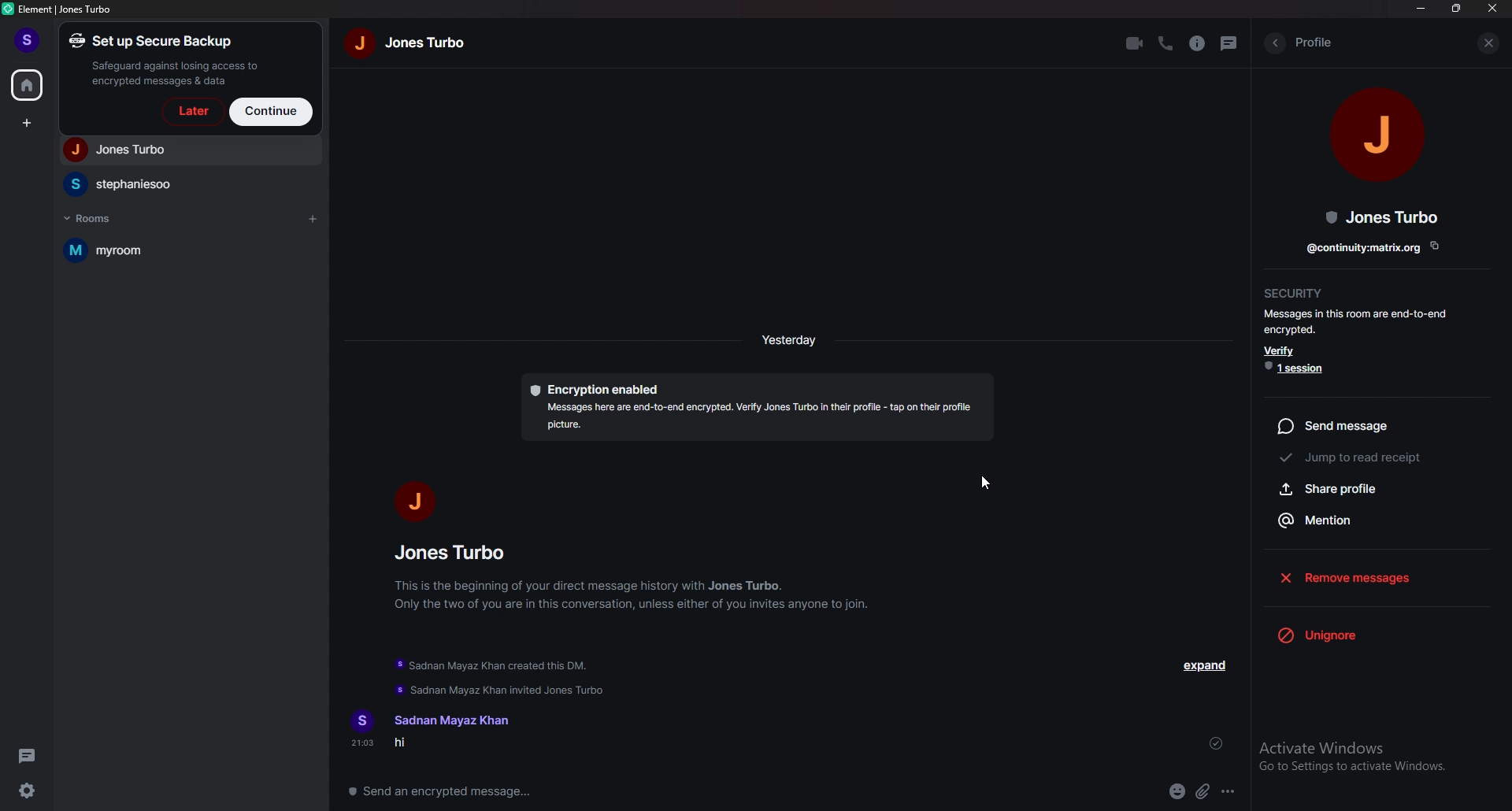 The width and height of the screenshot is (1512, 811). What do you see at coordinates (1299, 368) in the screenshot?
I see `1 session` at bounding box center [1299, 368].